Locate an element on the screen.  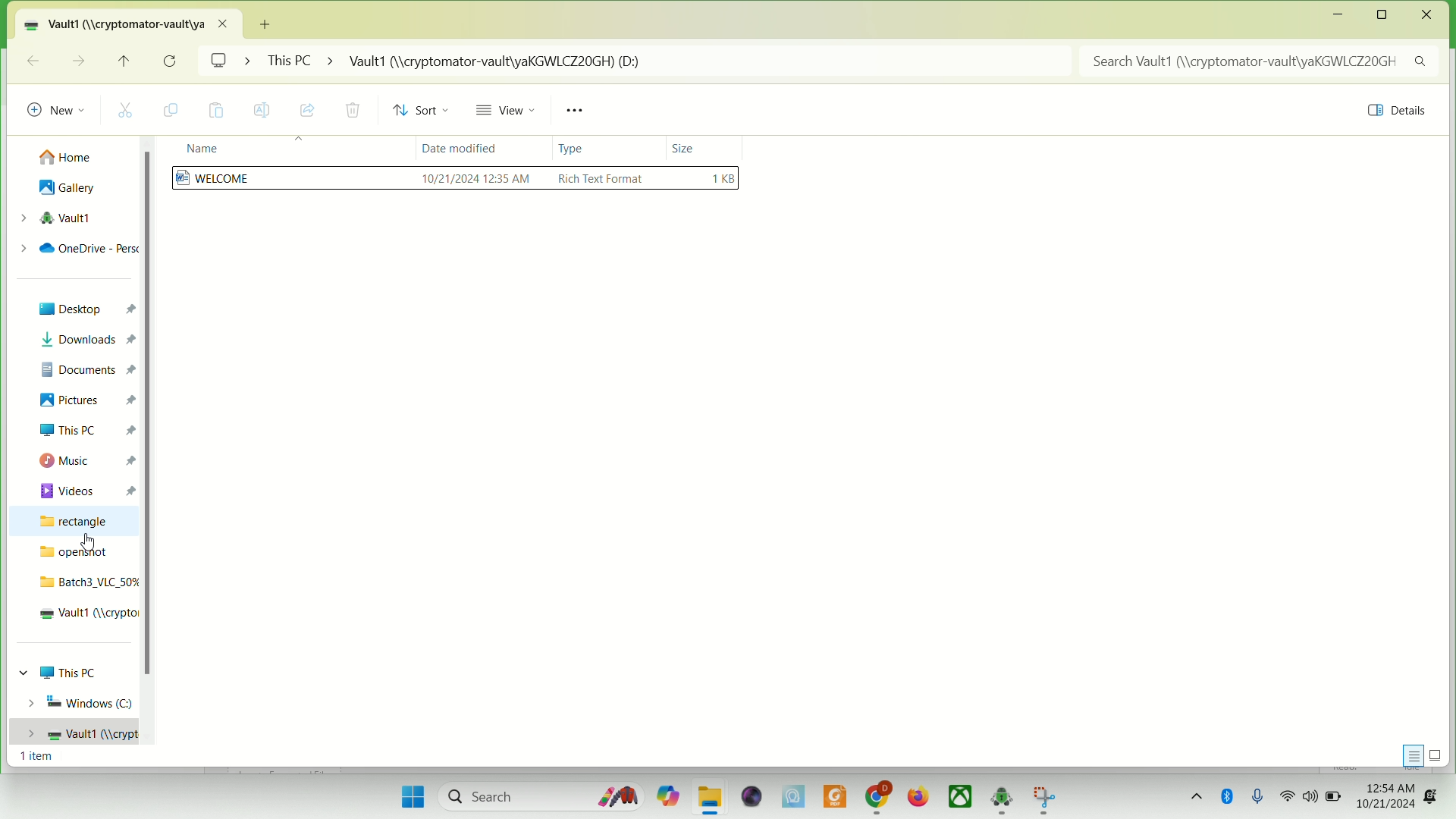
copy is located at coordinates (176, 111).